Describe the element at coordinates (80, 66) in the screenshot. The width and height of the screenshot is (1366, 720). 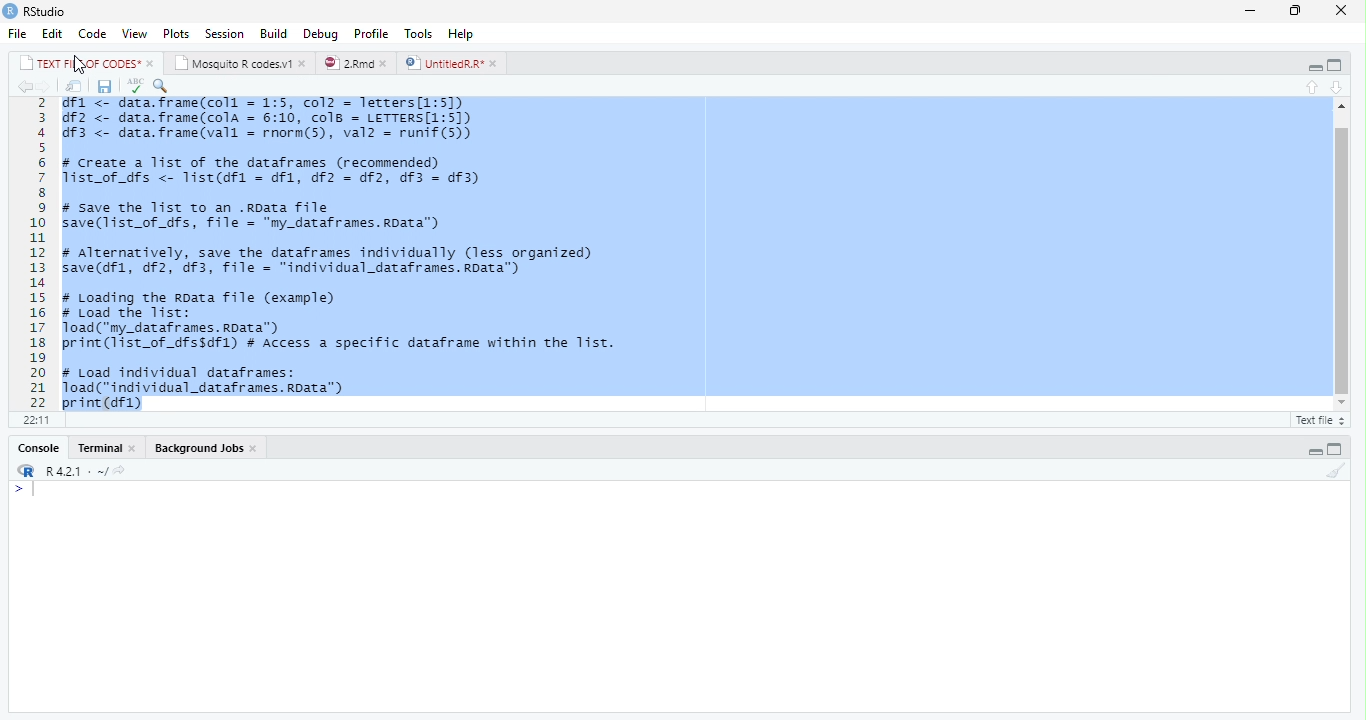
I see `cursor` at that location.